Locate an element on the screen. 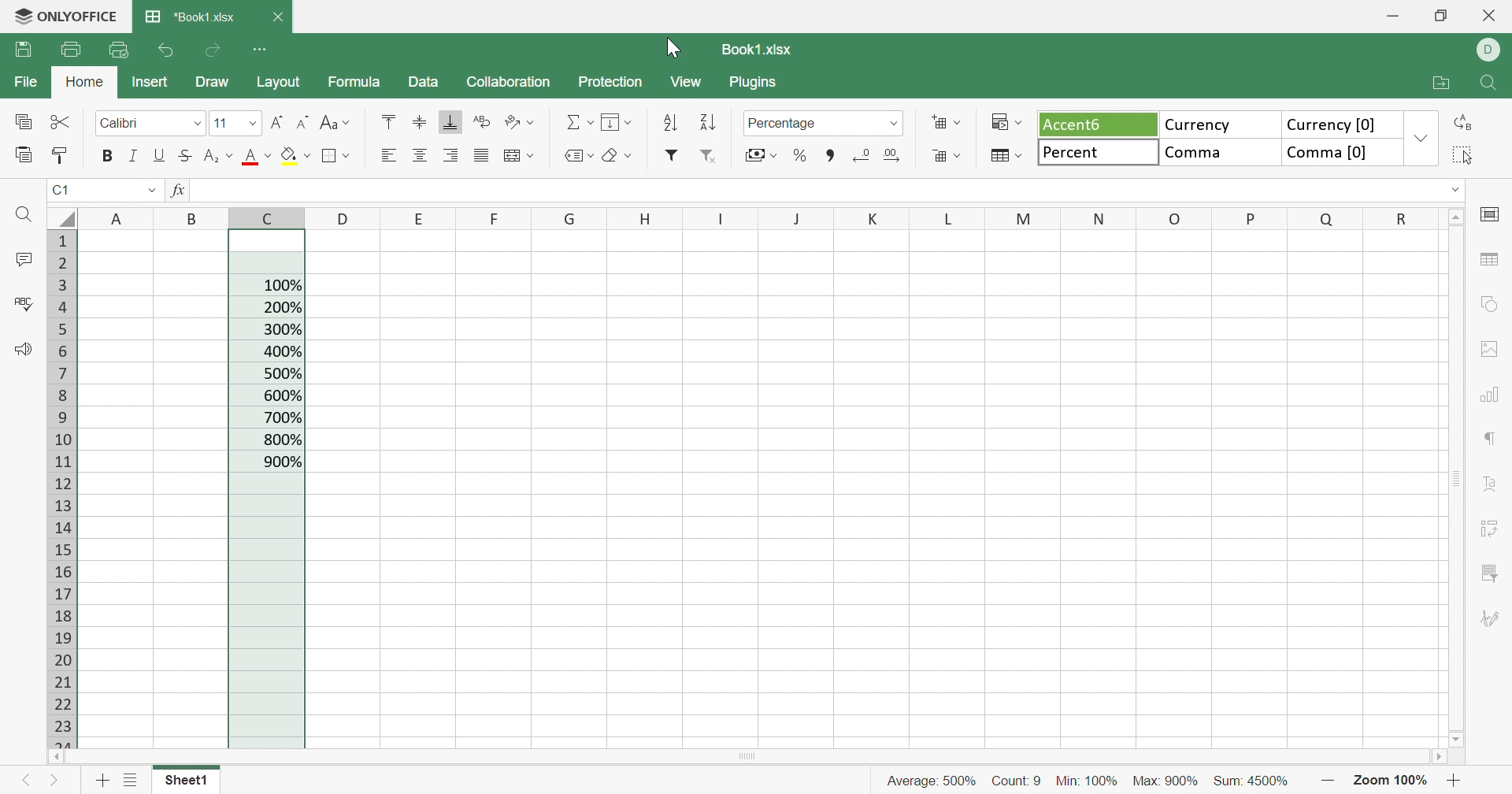 The image size is (1512, 794). Drop Down is located at coordinates (150, 191).